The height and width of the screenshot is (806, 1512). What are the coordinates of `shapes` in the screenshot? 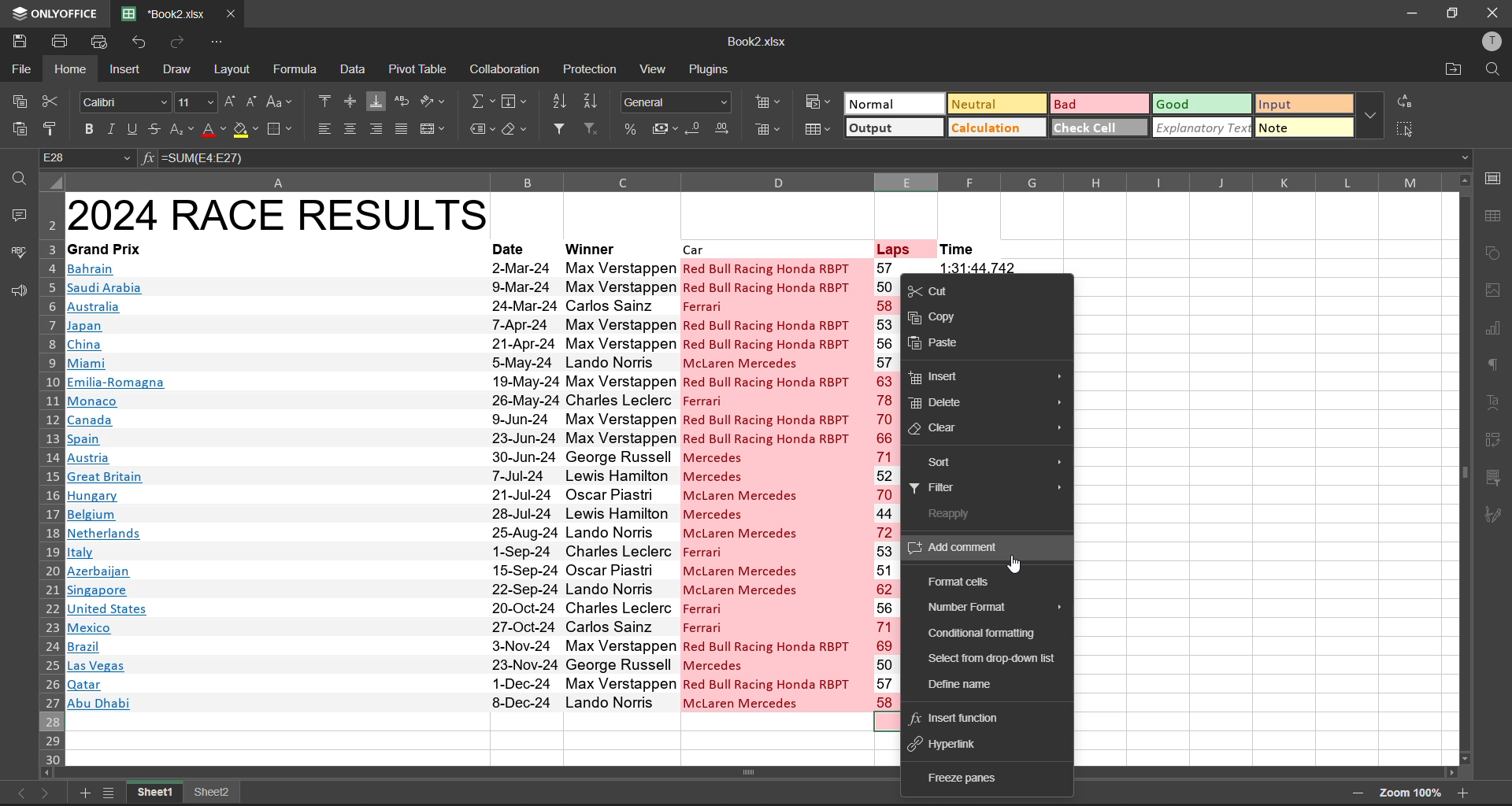 It's located at (1494, 252).